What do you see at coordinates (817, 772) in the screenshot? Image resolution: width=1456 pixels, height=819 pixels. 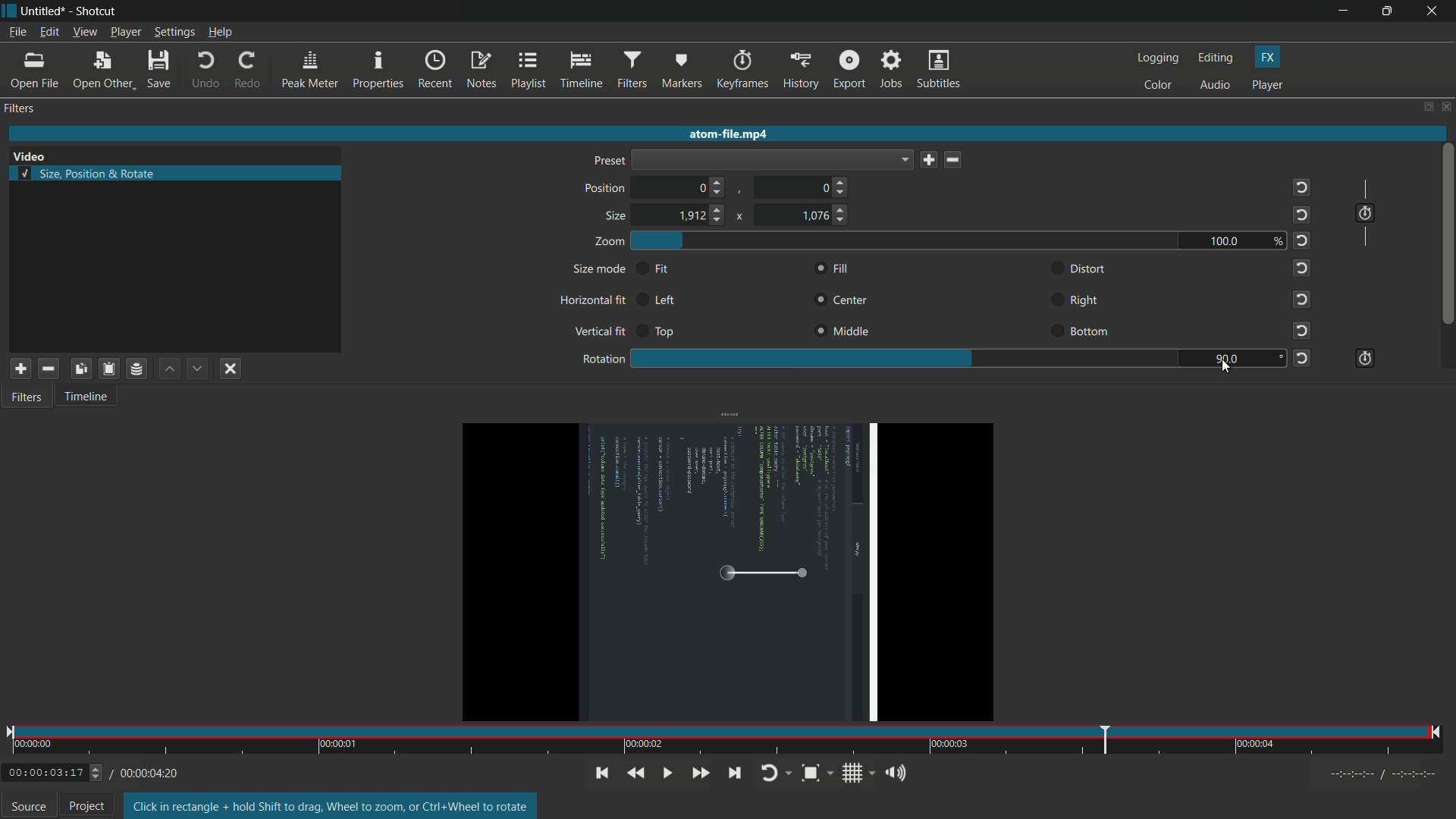 I see `toggle zoom` at bounding box center [817, 772].